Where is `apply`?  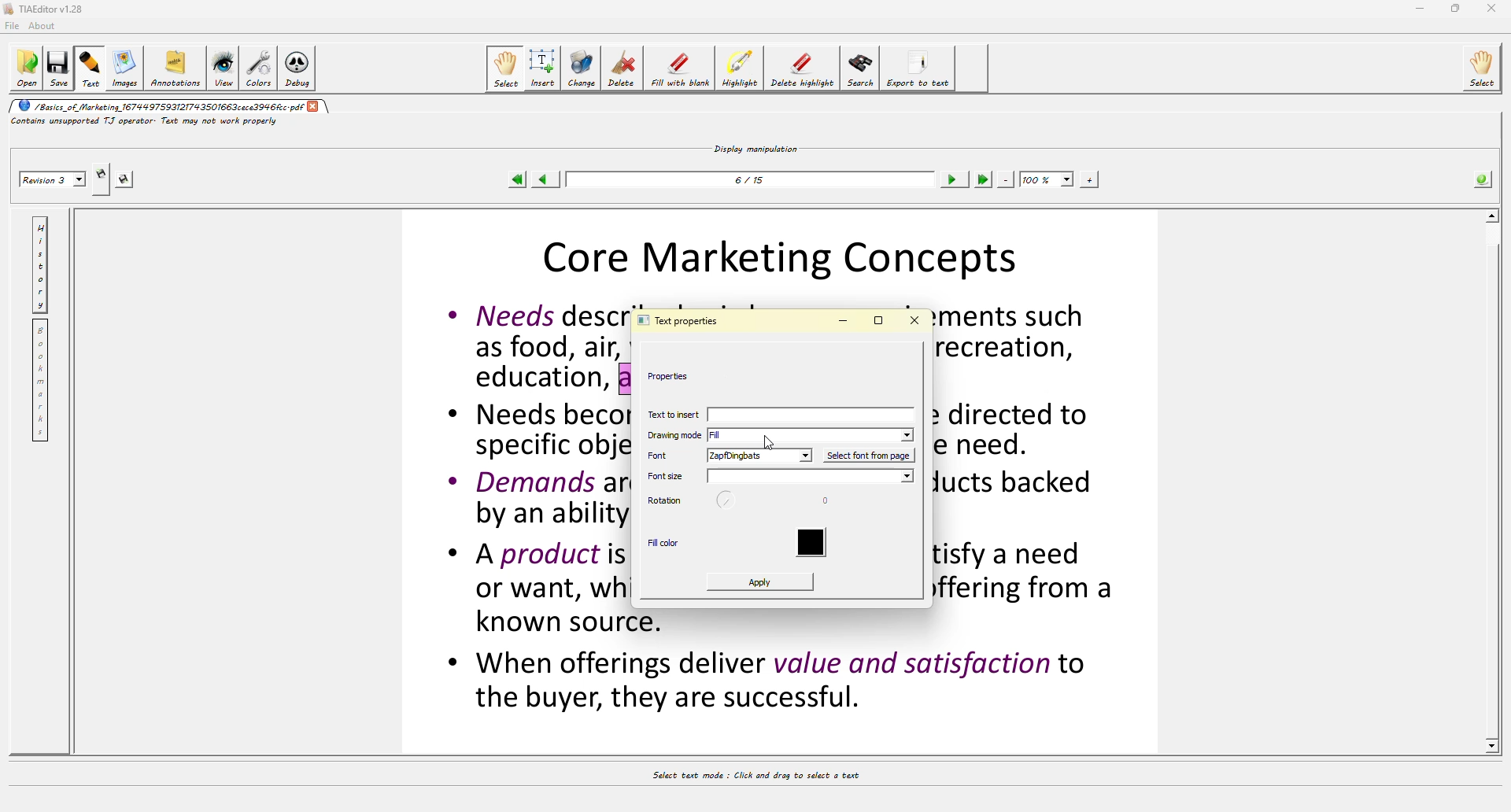
apply is located at coordinates (768, 582).